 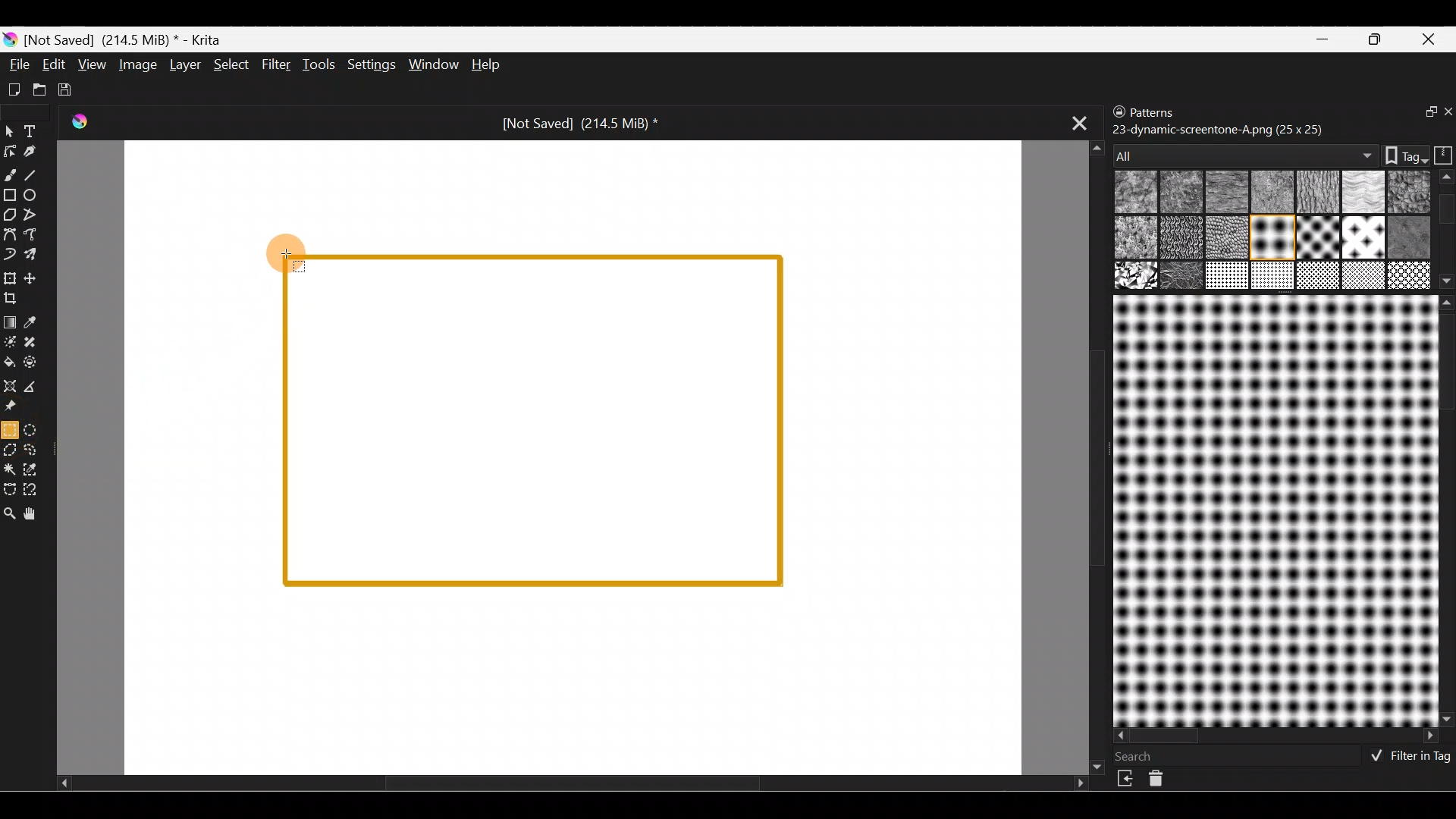 What do you see at coordinates (53, 66) in the screenshot?
I see `Edit` at bounding box center [53, 66].